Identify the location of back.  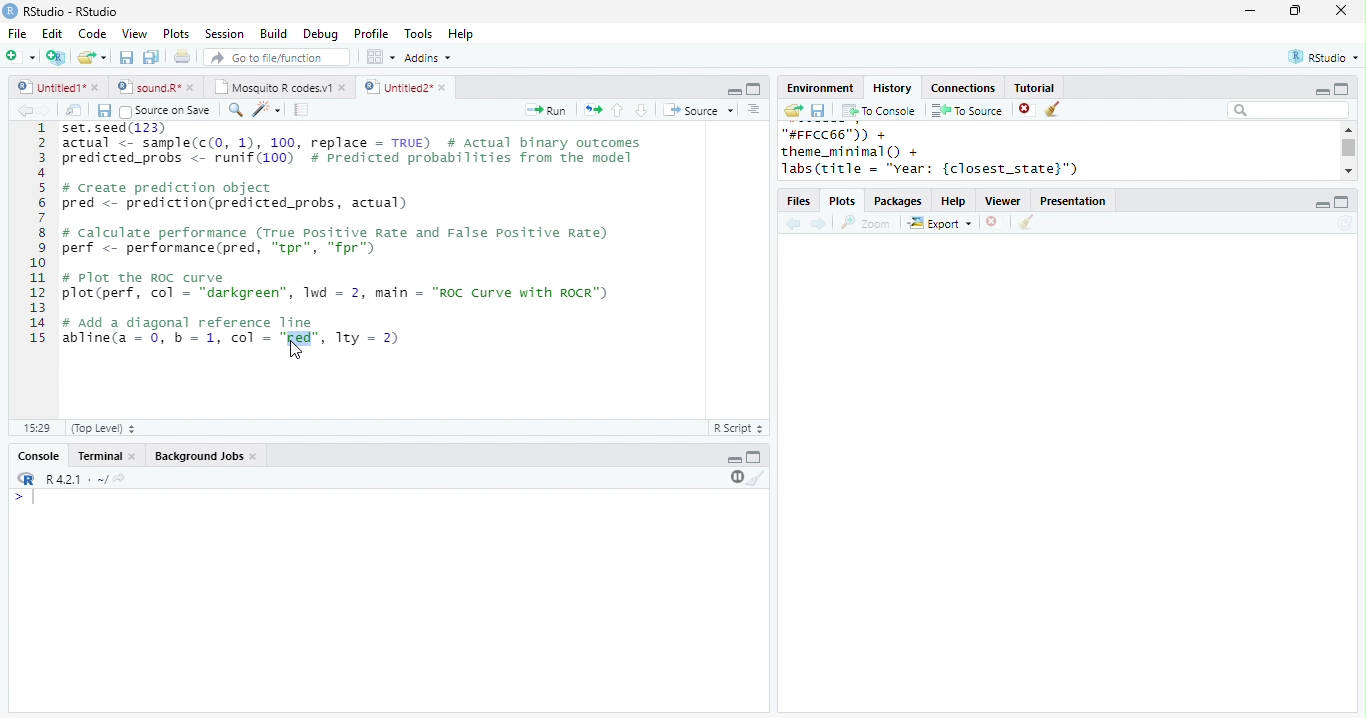
(793, 225).